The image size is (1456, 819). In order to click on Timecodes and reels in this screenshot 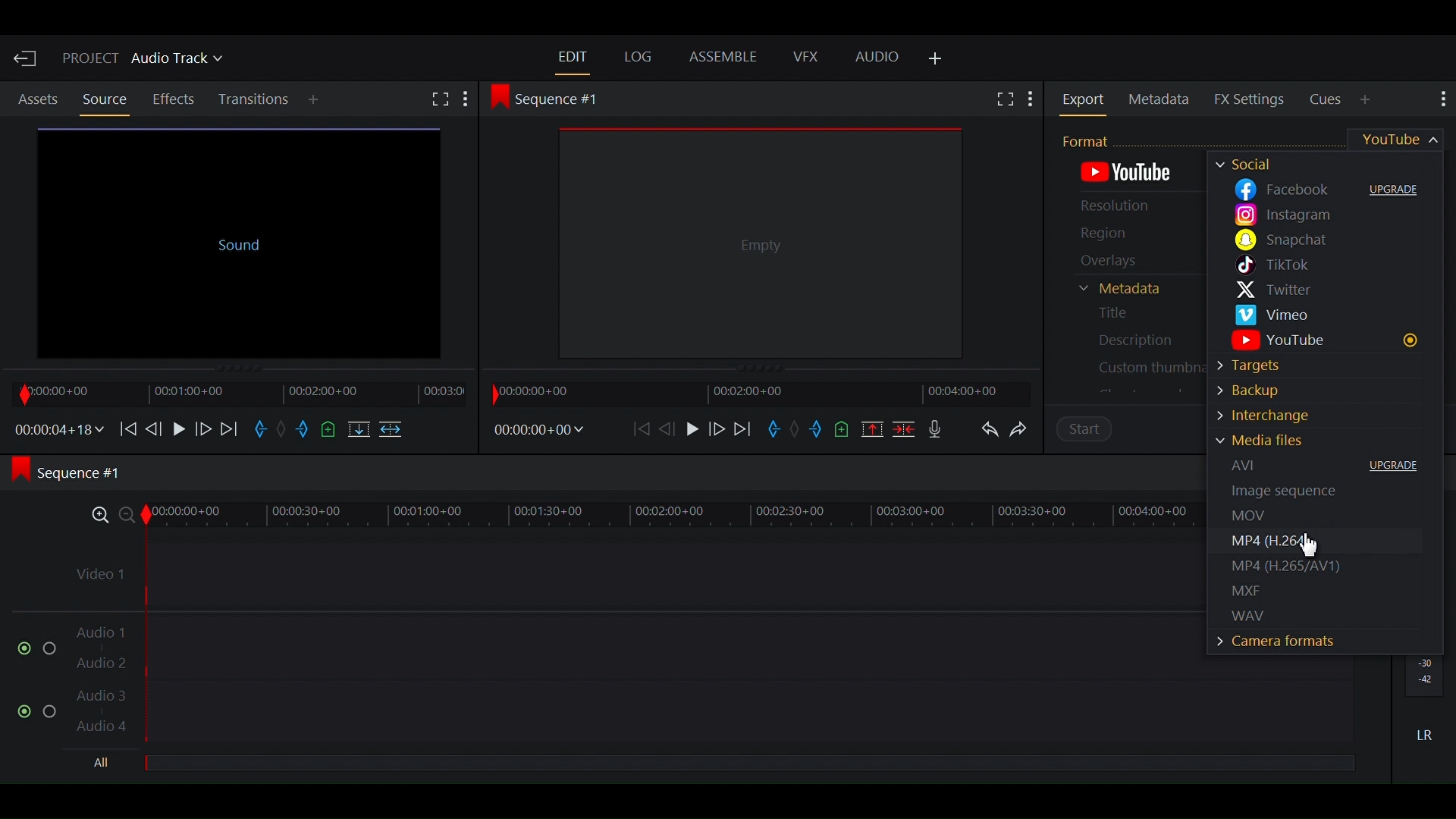, I will do `click(55, 429)`.